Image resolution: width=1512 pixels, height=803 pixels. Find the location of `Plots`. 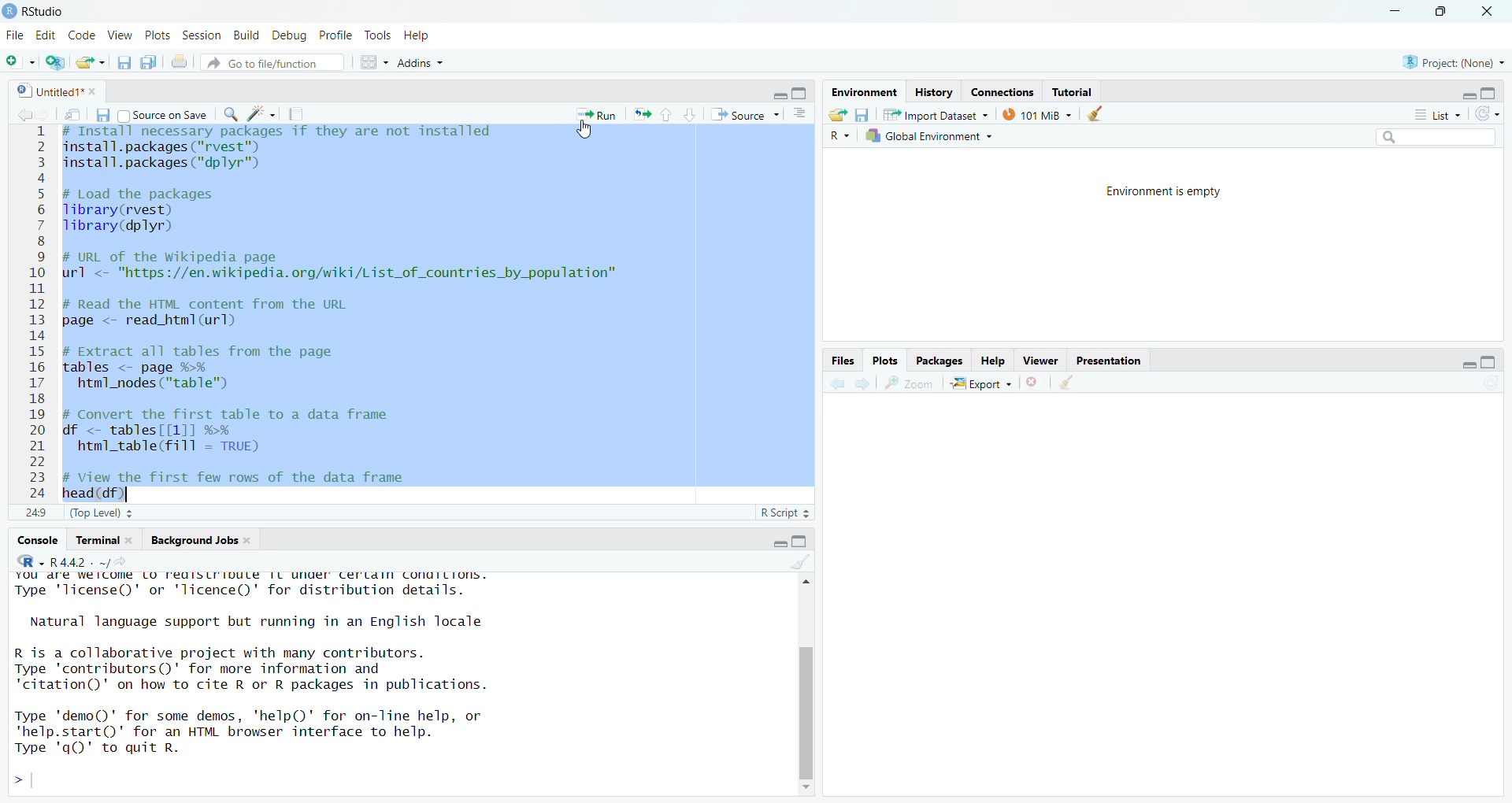

Plots is located at coordinates (158, 35).